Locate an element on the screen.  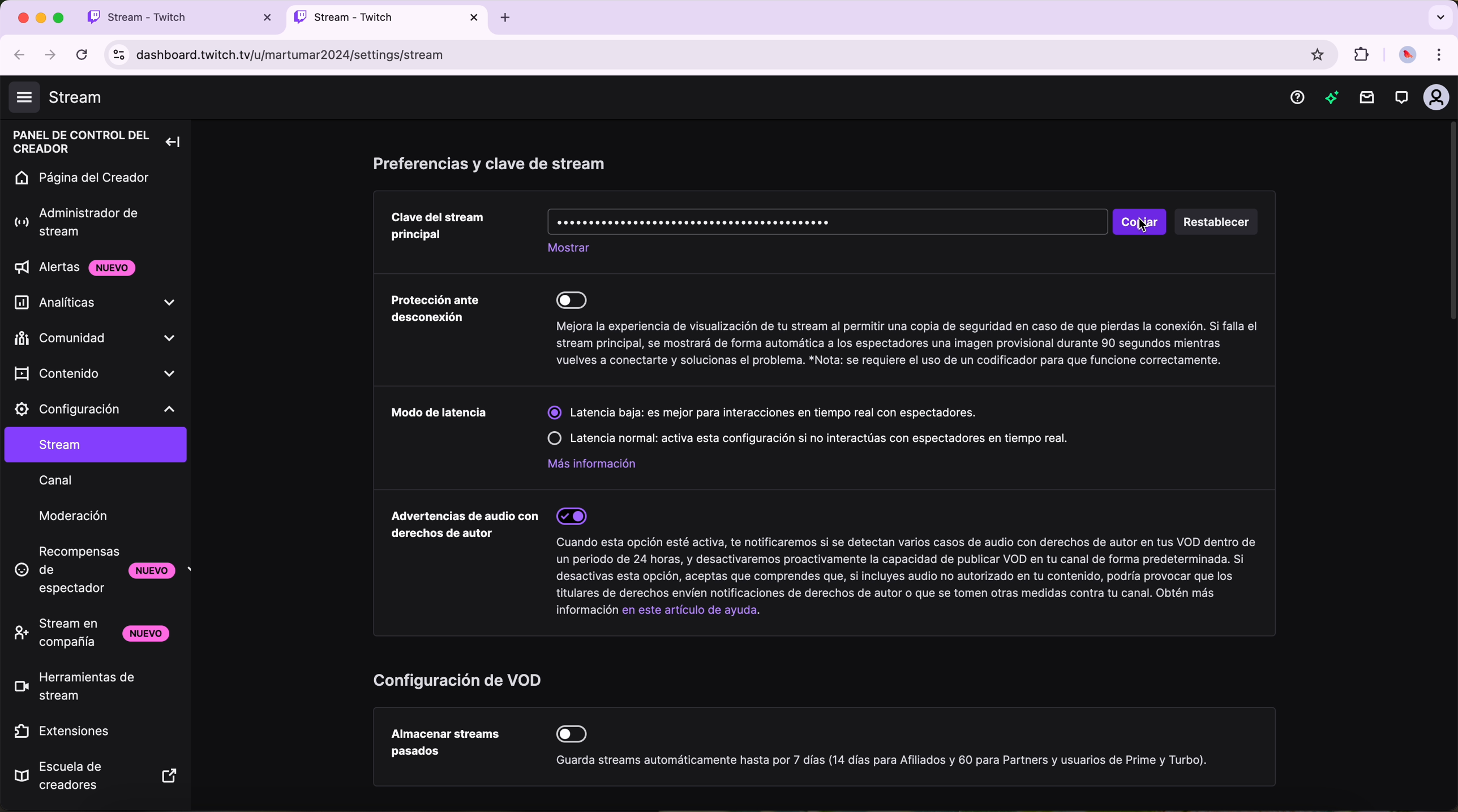
key is located at coordinates (825, 221).